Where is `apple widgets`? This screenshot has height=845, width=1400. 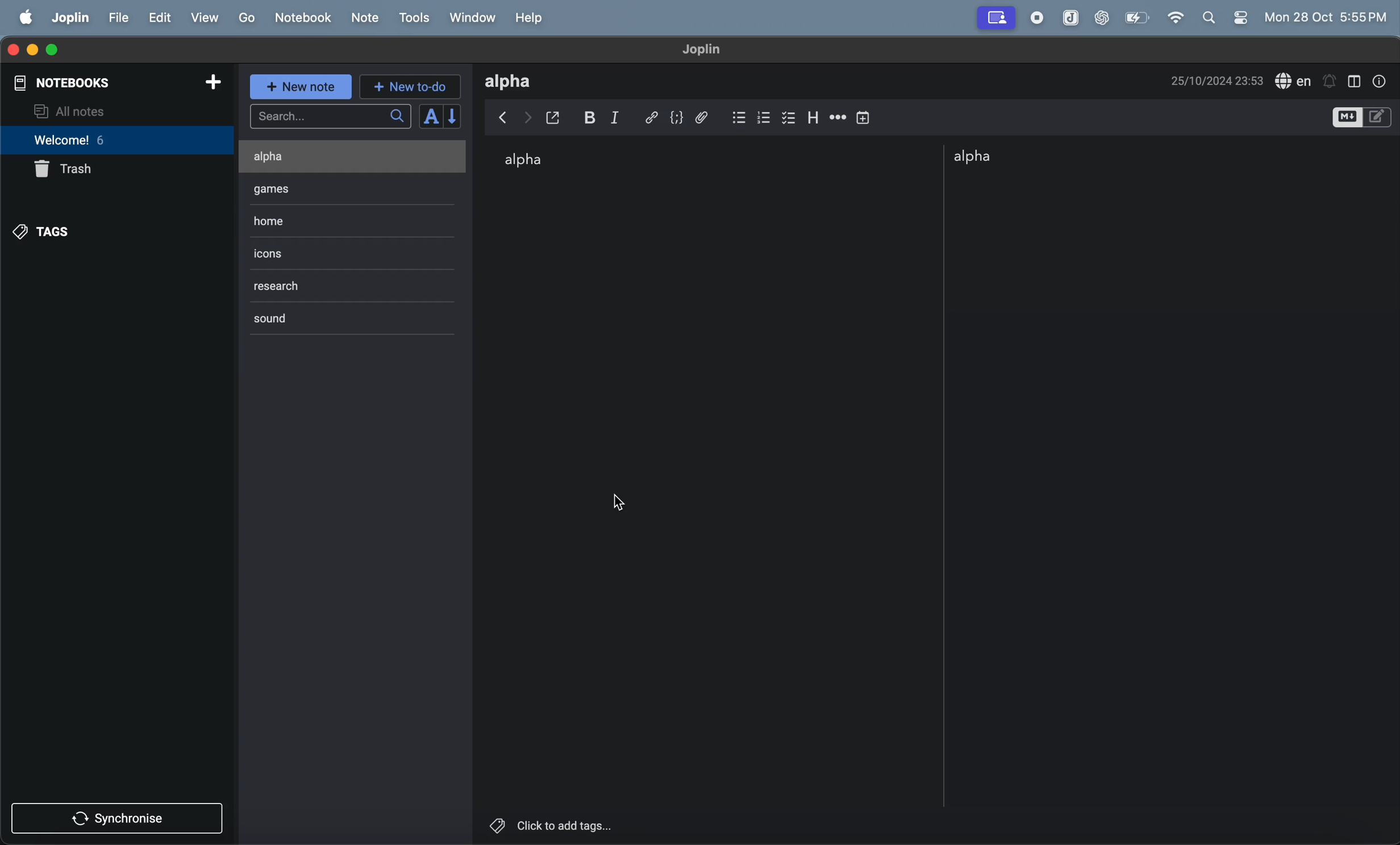
apple widgets is located at coordinates (1228, 19).